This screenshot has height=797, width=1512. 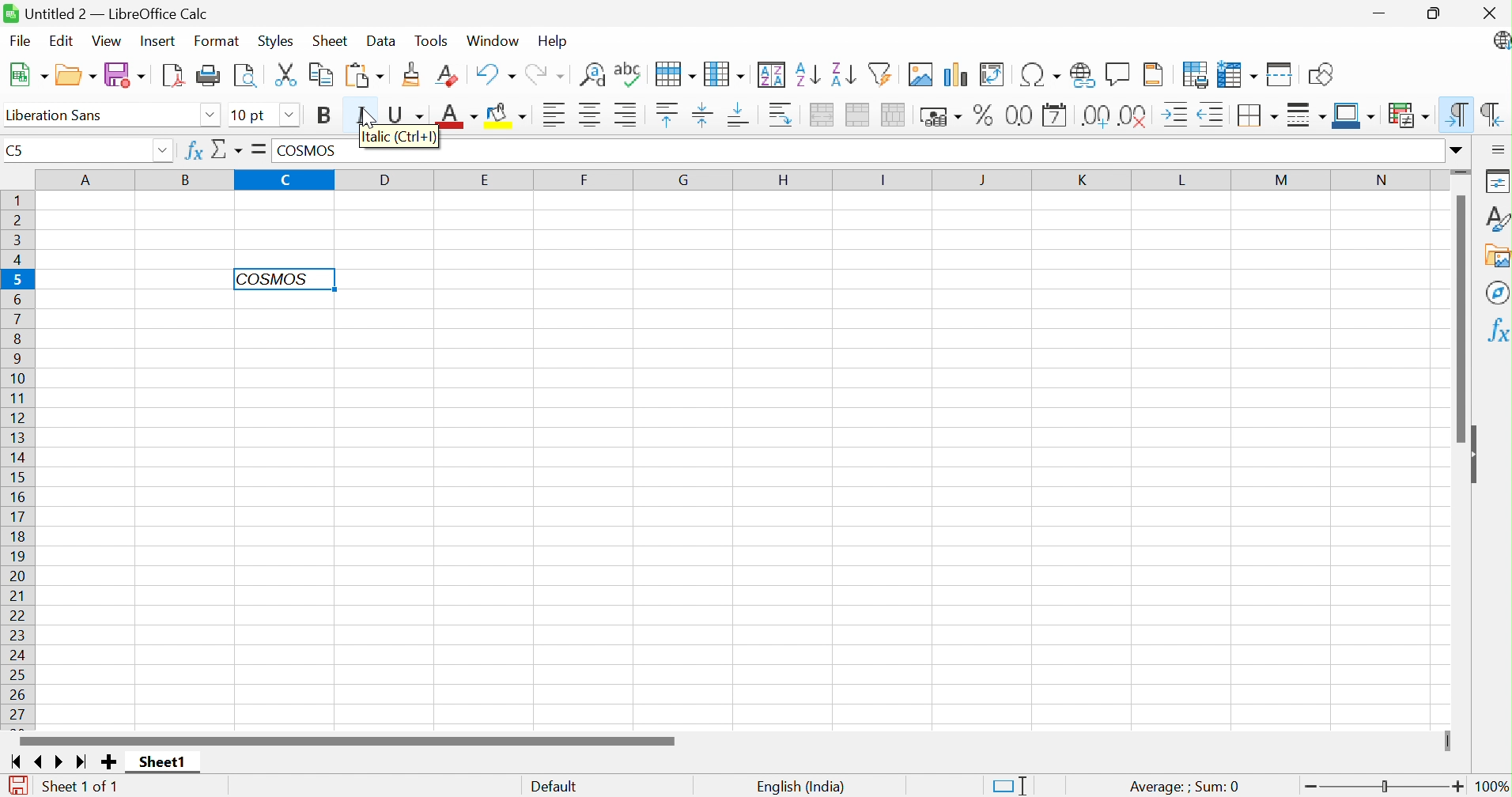 What do you see at coordinates (455, 114) in the screenshot?
I see `Font color` at bounding box center [455, 114].